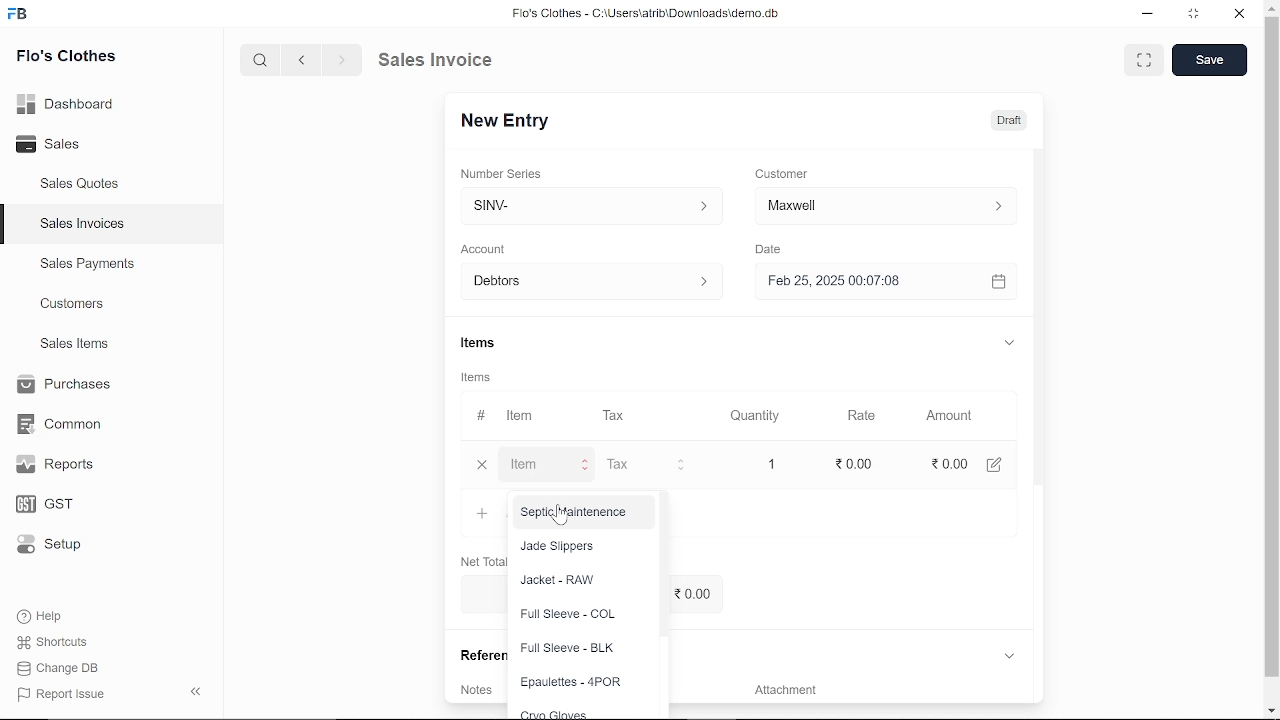 This screenshot has height=720, width=1280. I want to click on Customers, so click(74, 303).